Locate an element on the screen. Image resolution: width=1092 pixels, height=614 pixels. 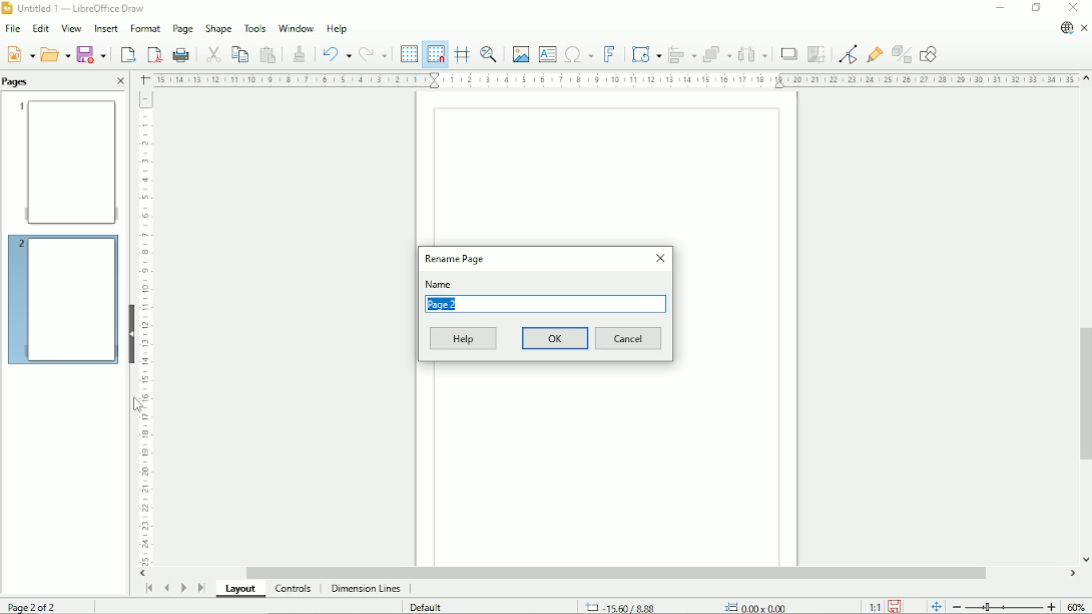
Scroll to next page is located at coordinates (183, 588).